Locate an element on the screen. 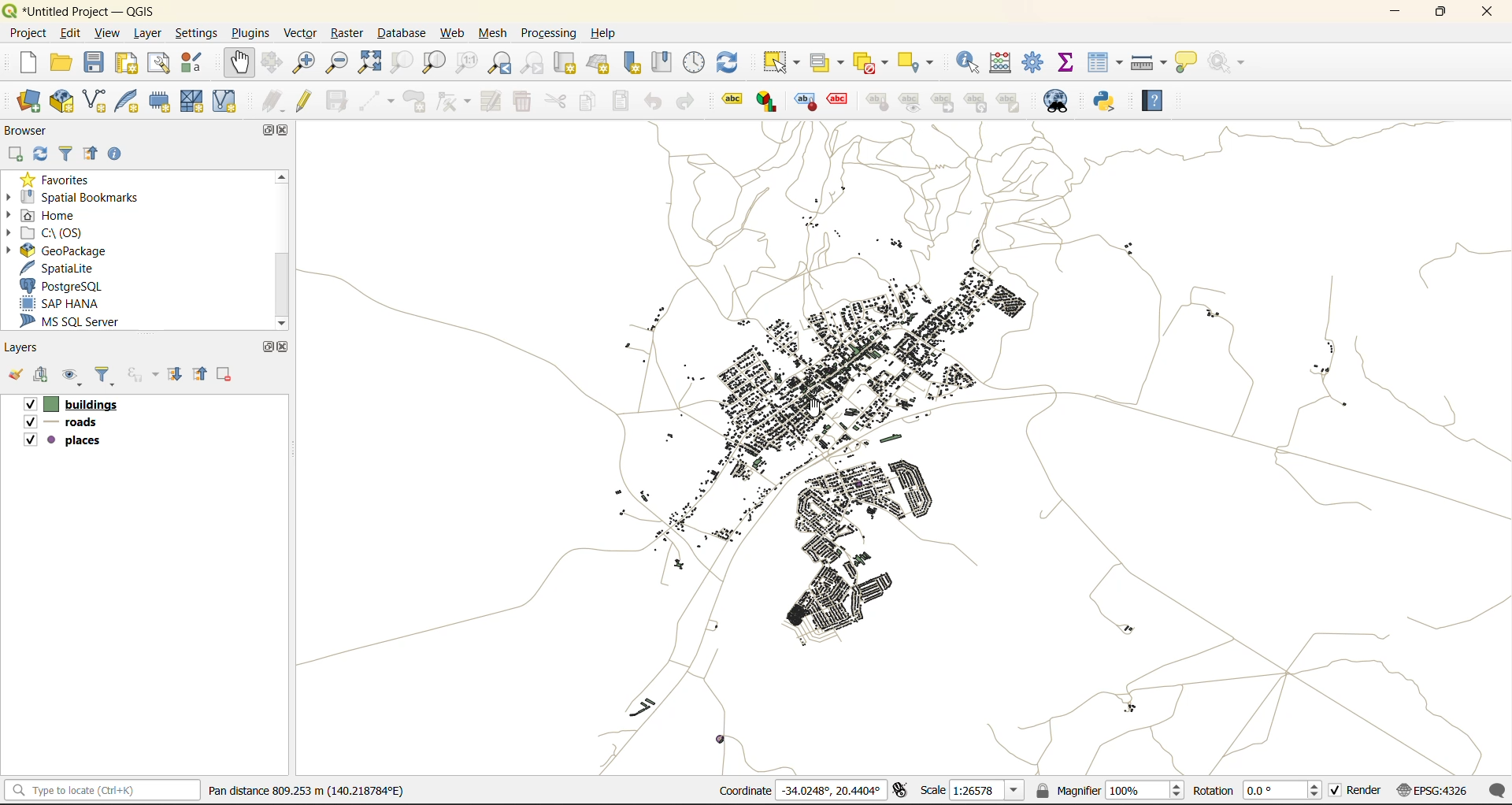 The width and height of the screenshot is (1512, 805). close is located at coordinates (283, 345).